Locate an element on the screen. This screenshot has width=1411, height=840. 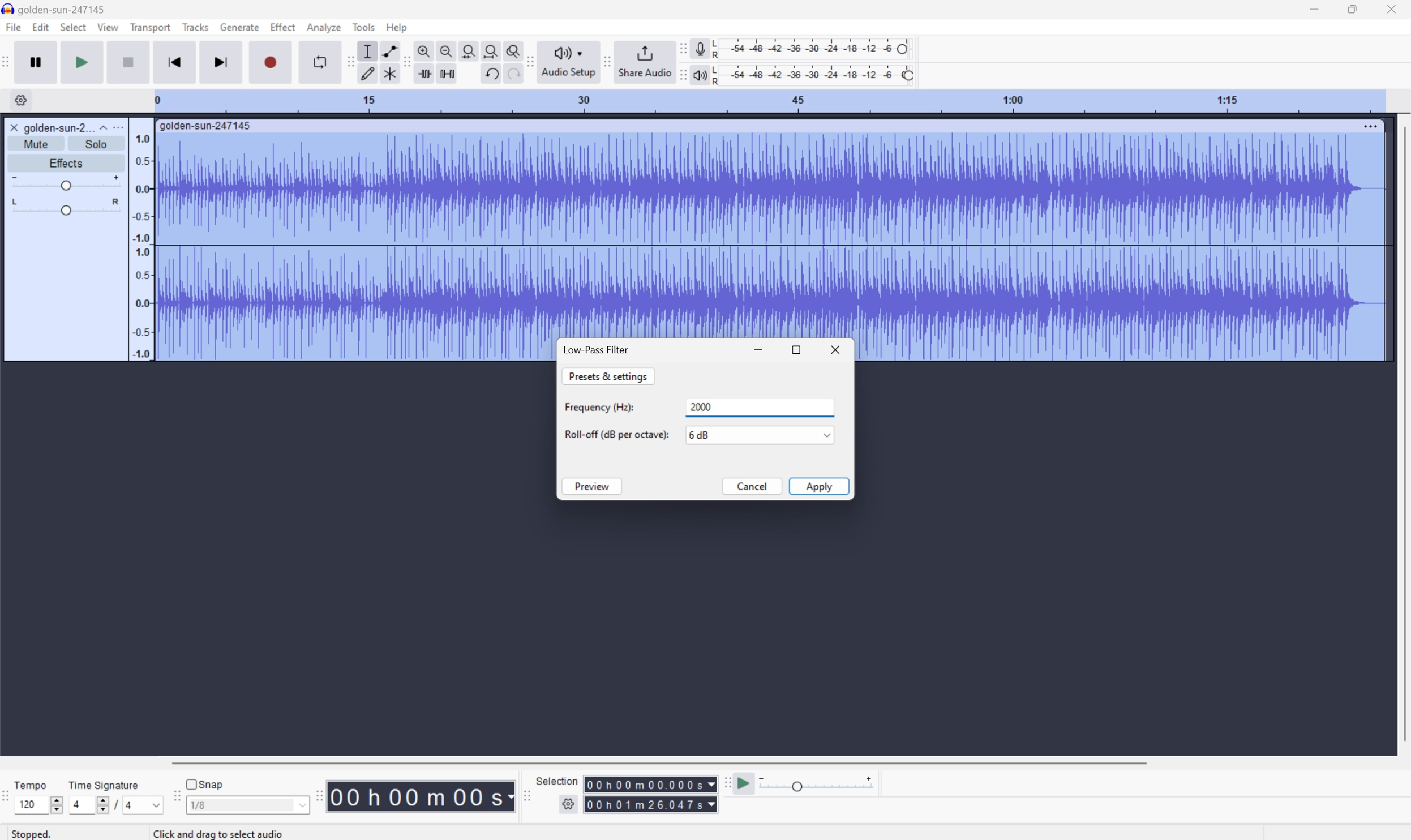
Audacity audio setup toolbar is located at coordinates (529, 62).